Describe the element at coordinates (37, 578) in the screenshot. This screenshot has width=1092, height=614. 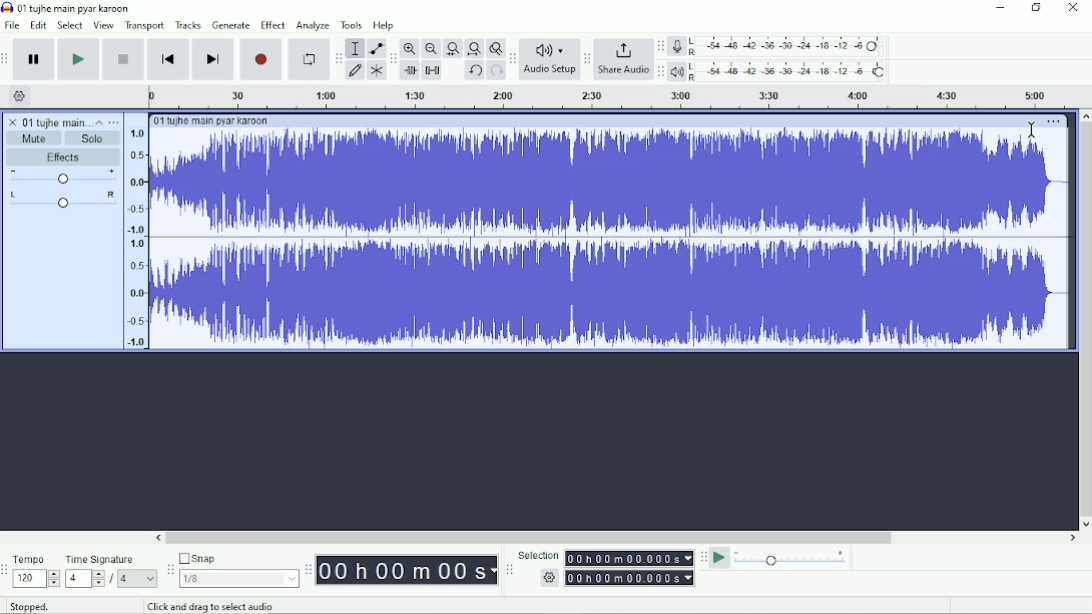
I see `120` at that location.